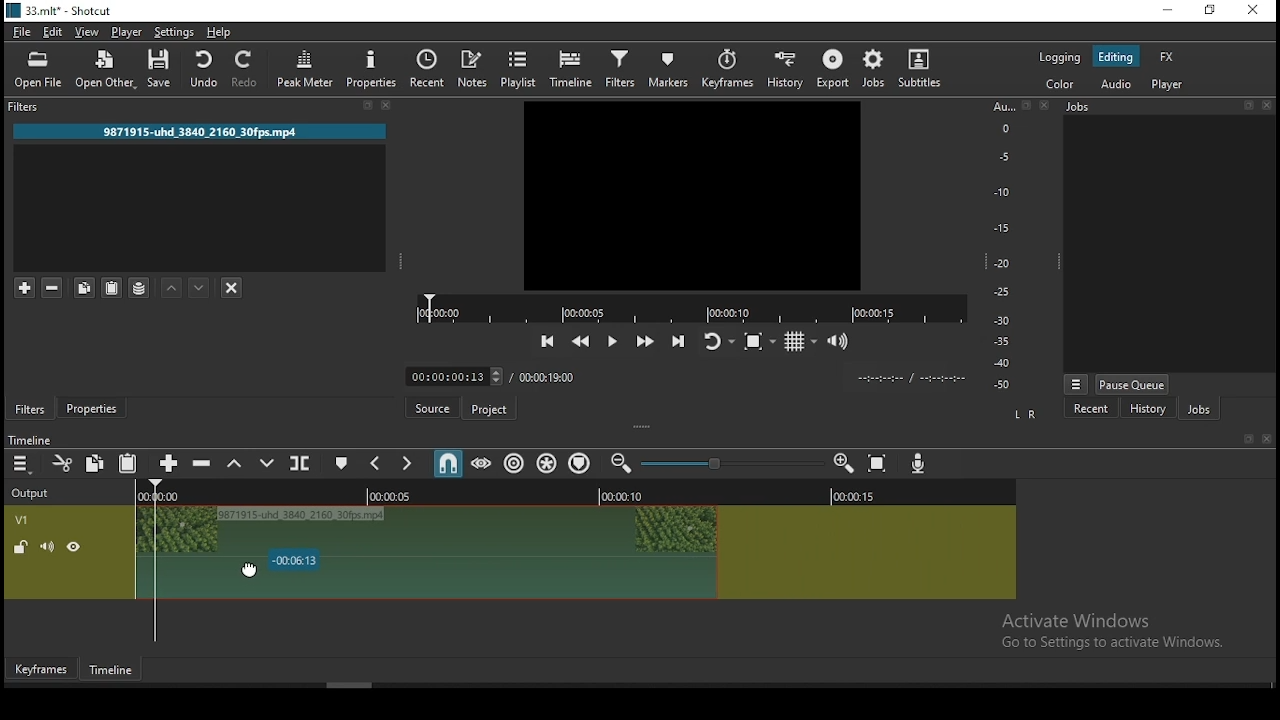 This screenshot has width=1280, height=720. Describe the element at coordinates (547, 339) in the screenshot. I see `skip to previous point` at that location.